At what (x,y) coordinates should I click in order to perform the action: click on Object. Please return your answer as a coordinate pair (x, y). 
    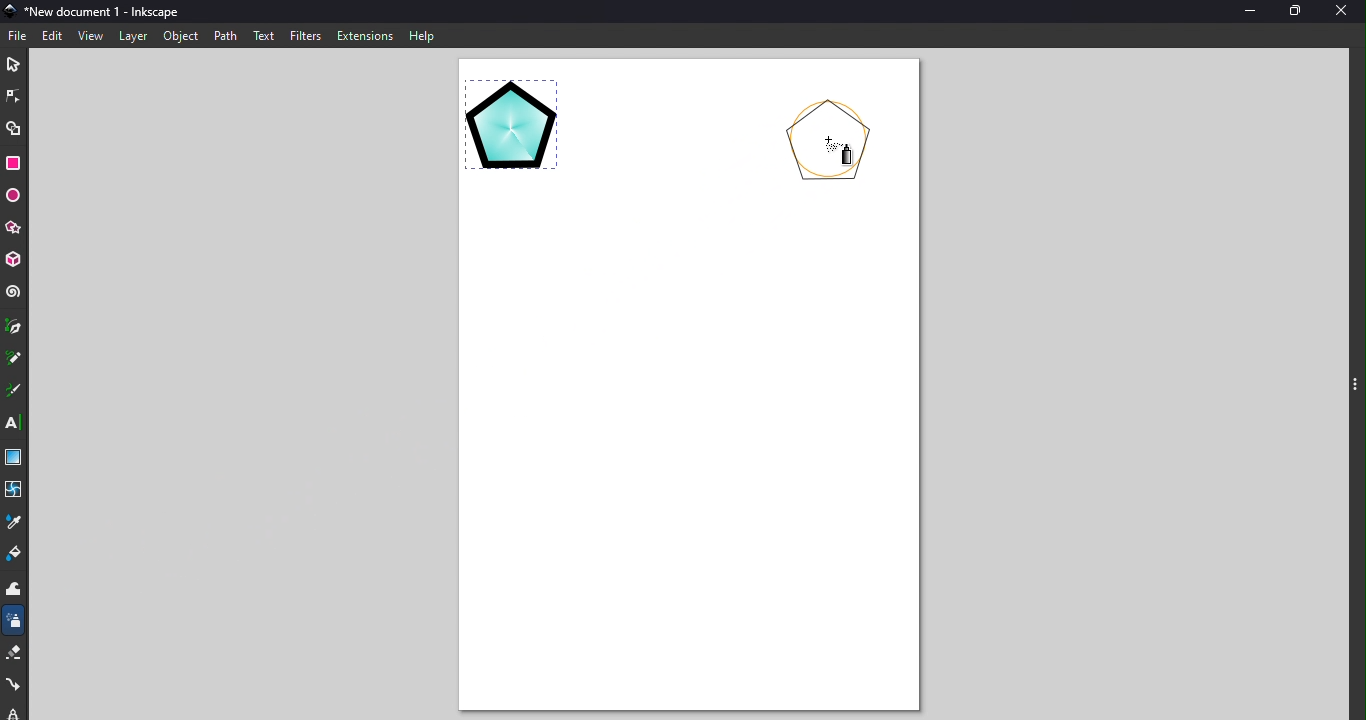
    Looking at the image, I should click on (180, 38).